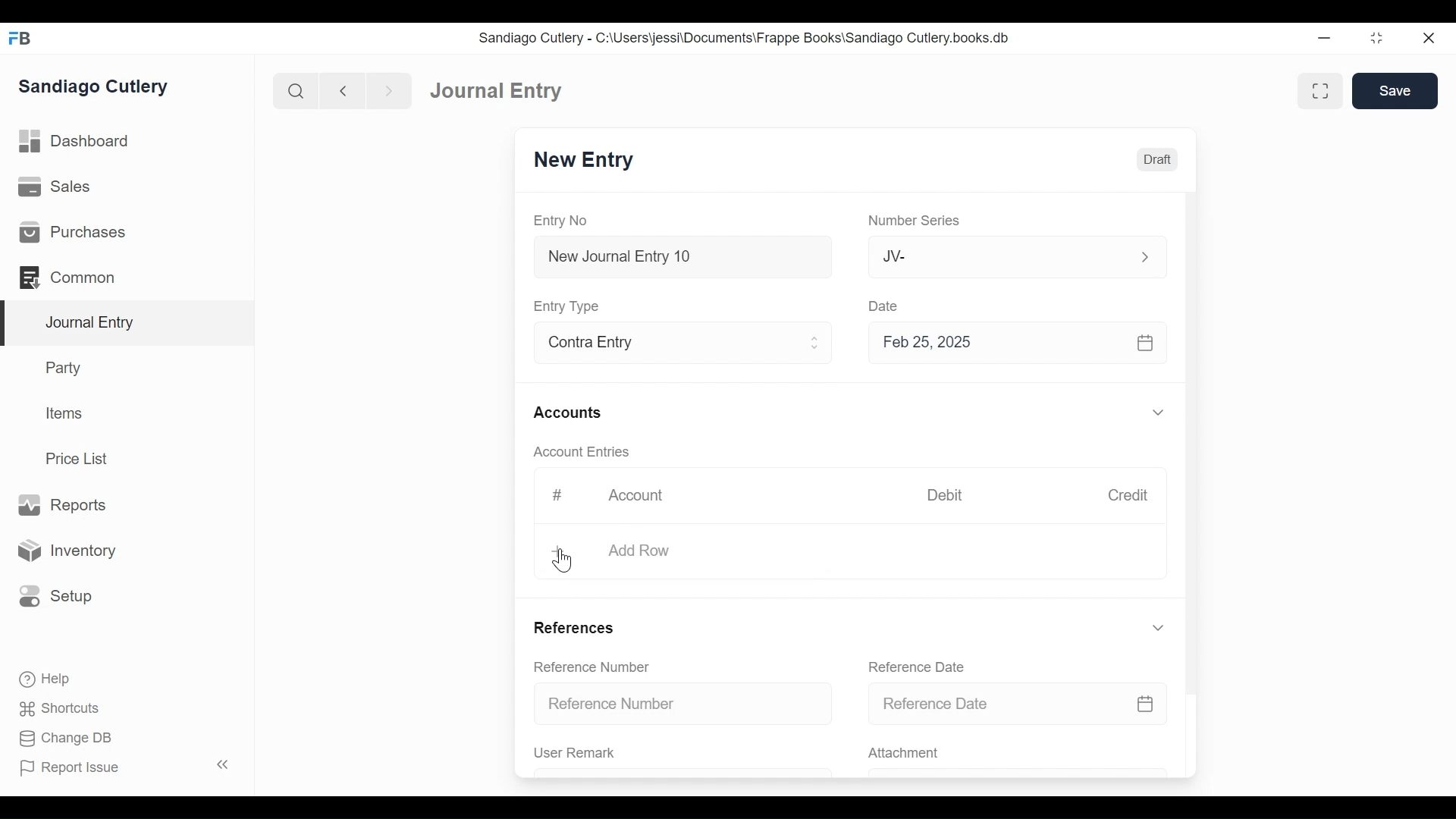 The height and width of the screenshot is (819, 1456). Describe the element at coordinates (1326, 39) in the screenshot. I see `Minimize` at that location.